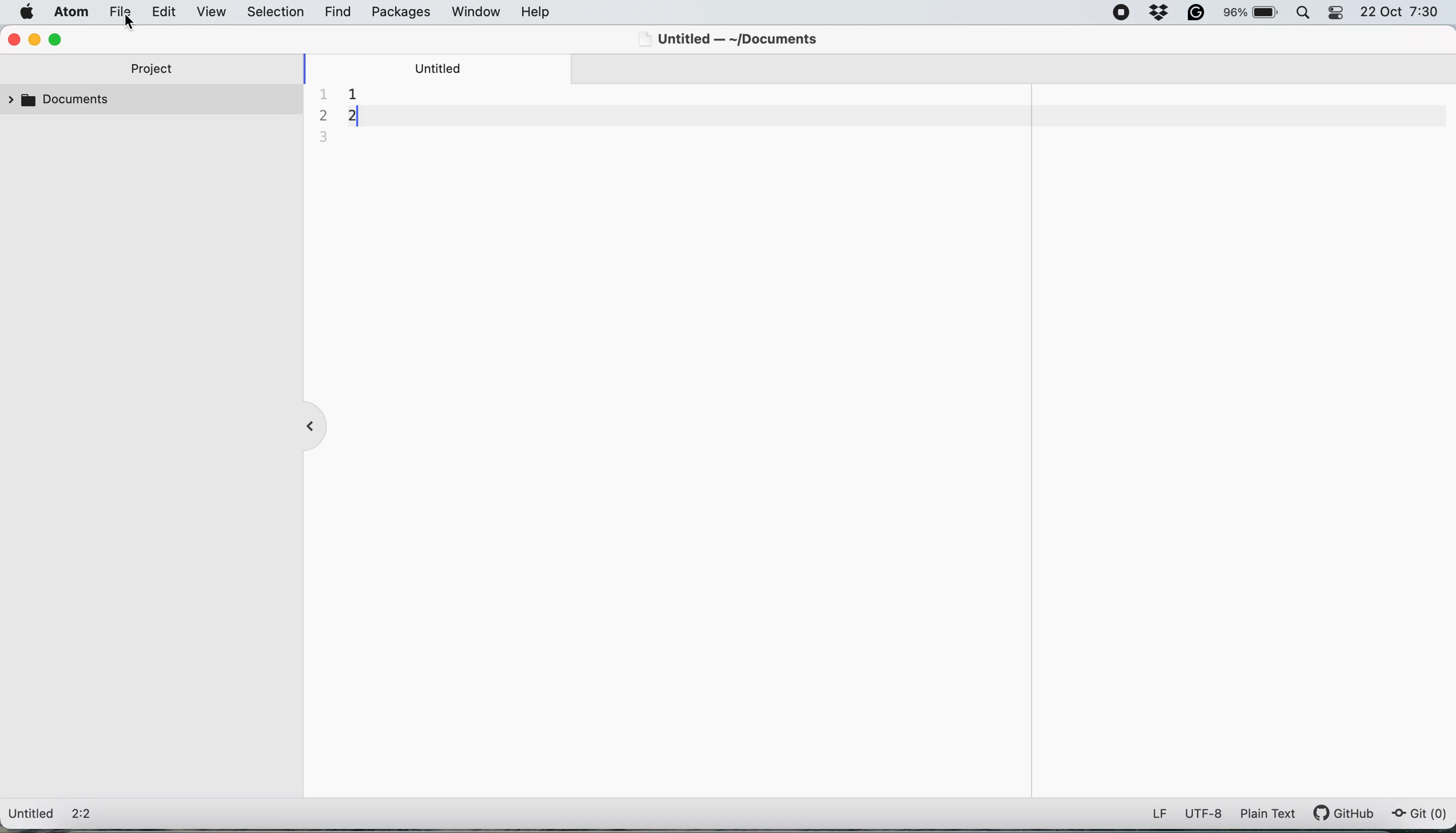 The height and width of the screenshot is (833, 1456). Describe the element at coordinates (401, 13) in the screenshot. I see `packages` at that location.